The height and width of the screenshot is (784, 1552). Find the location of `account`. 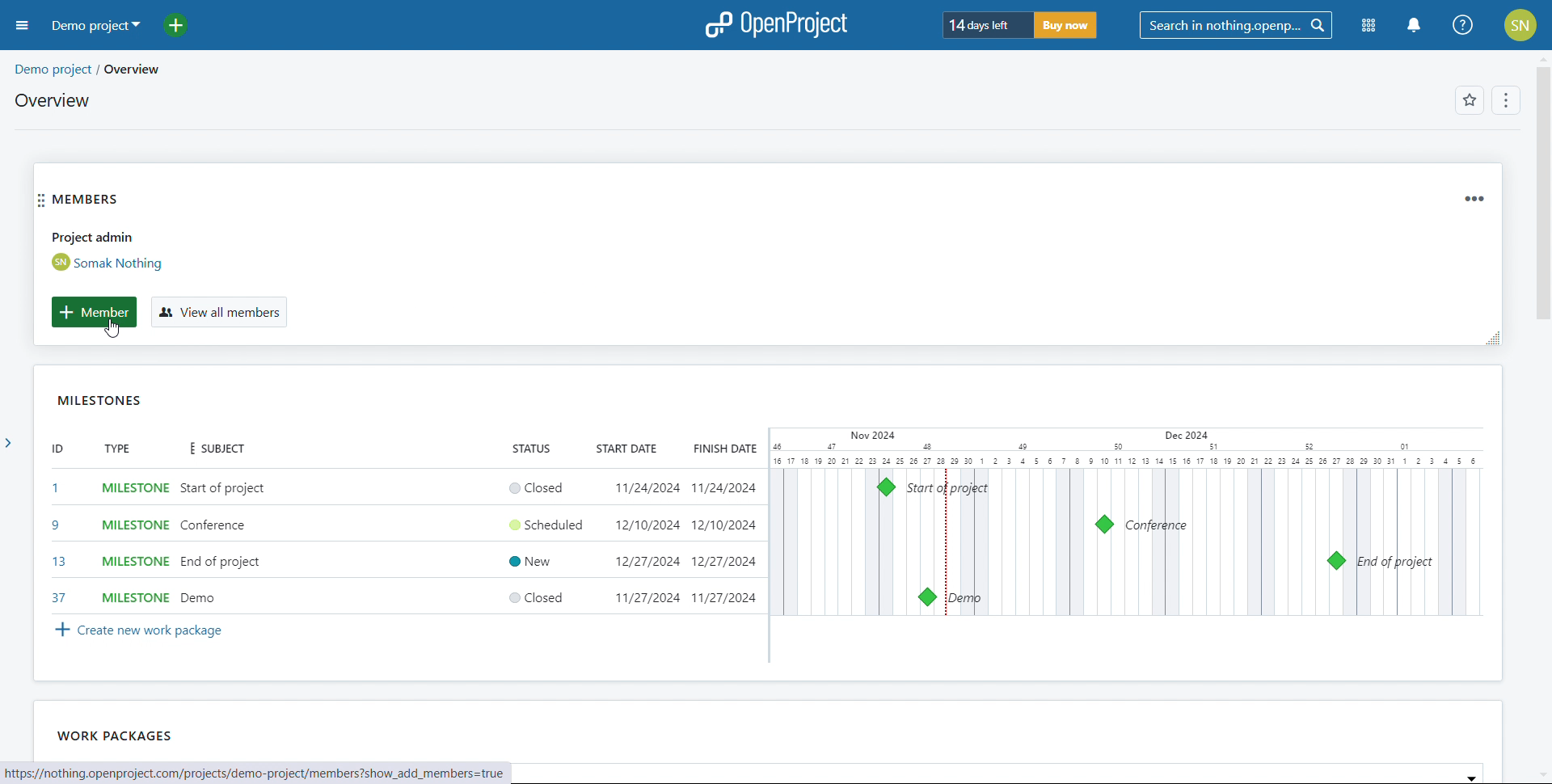

account is located at coordinates (1521, 24).